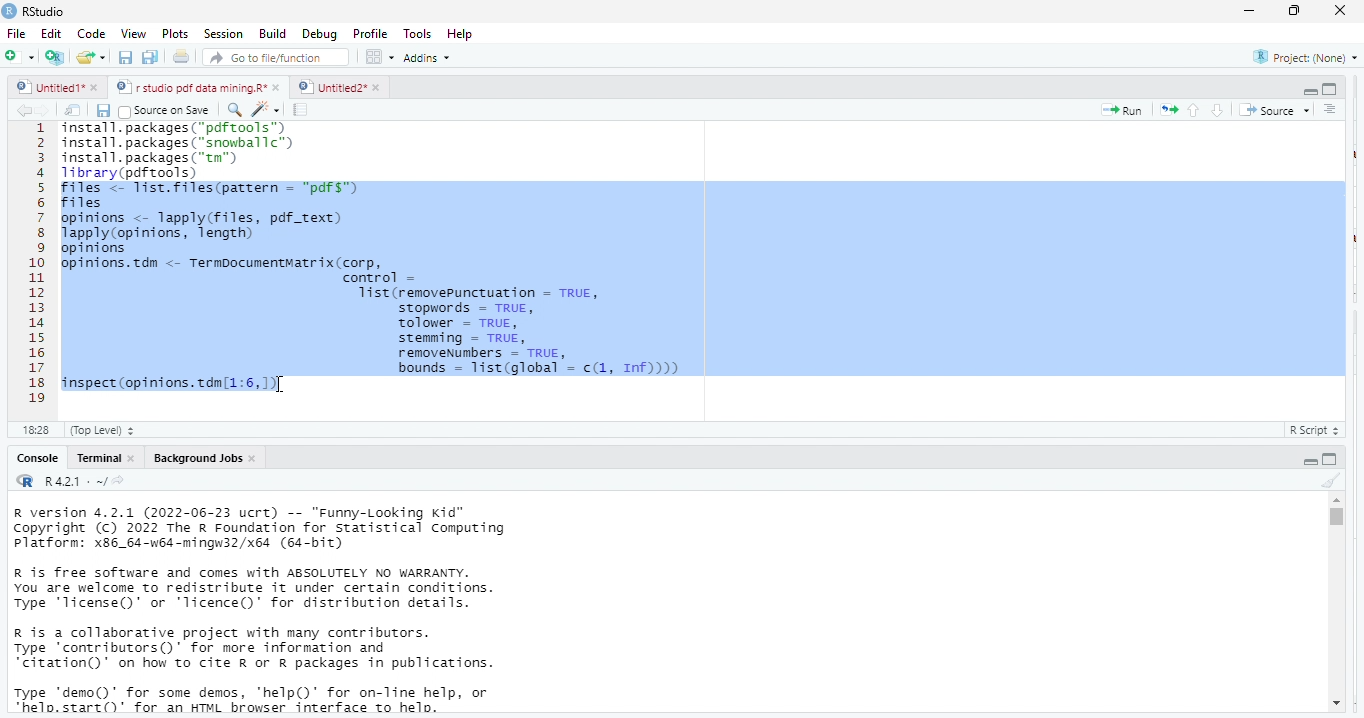  What do you see at coordinates (35, 428) in the screenshot?
I see `3.23` at bounding box center [35, 428].